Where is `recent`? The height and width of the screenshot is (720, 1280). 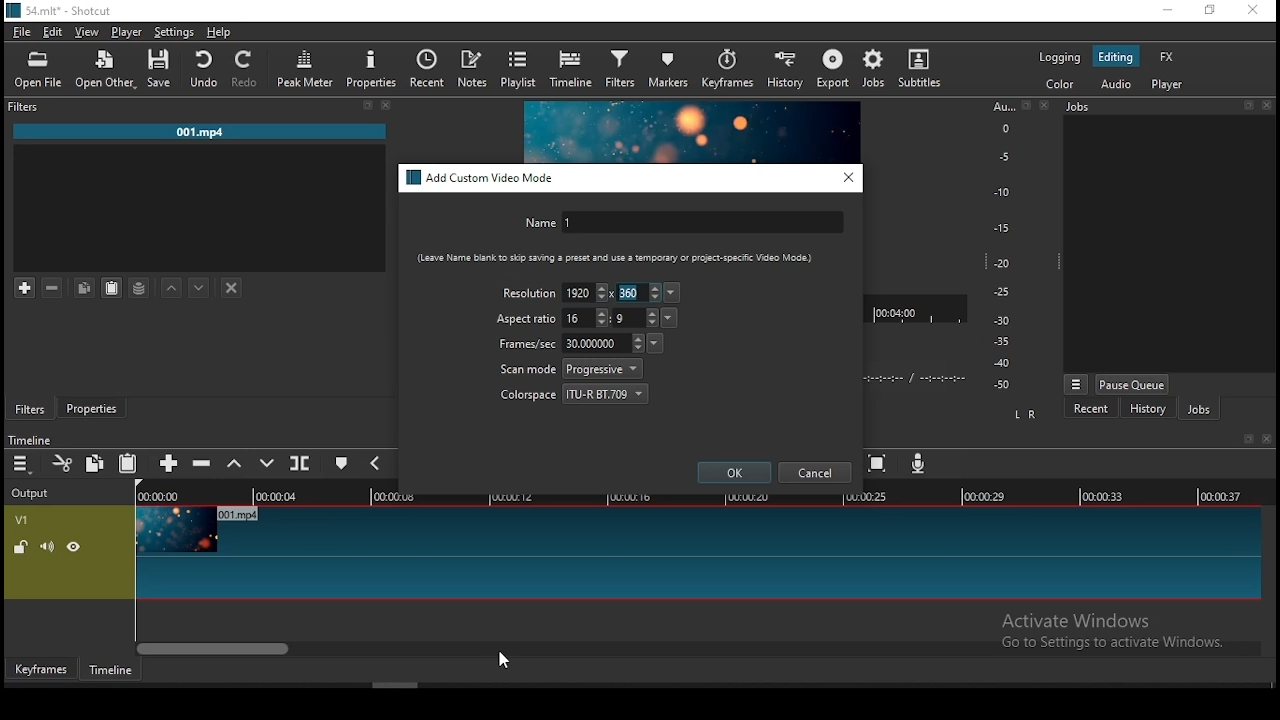
recent is located at coordinates (1091, 409).